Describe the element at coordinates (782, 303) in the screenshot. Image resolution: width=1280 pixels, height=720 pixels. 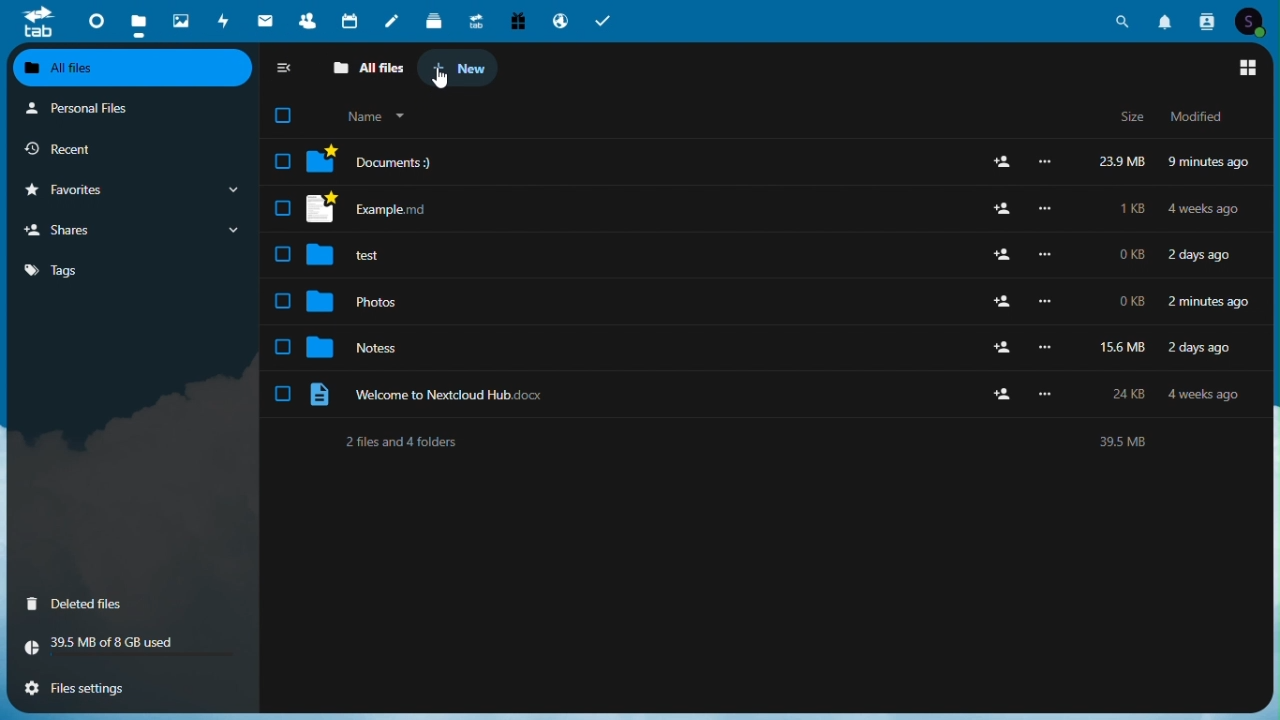
I see `` at that location.